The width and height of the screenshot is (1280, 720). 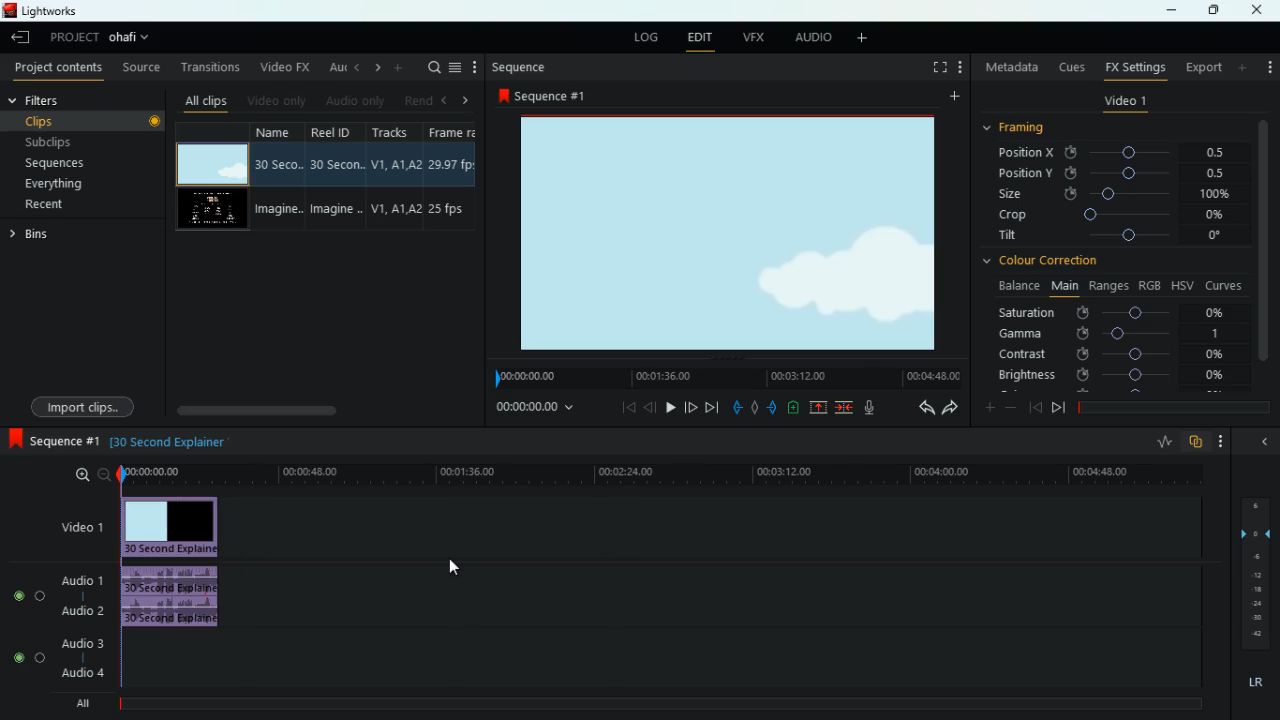 I want to click on vfx, so click(x=750, y=38).